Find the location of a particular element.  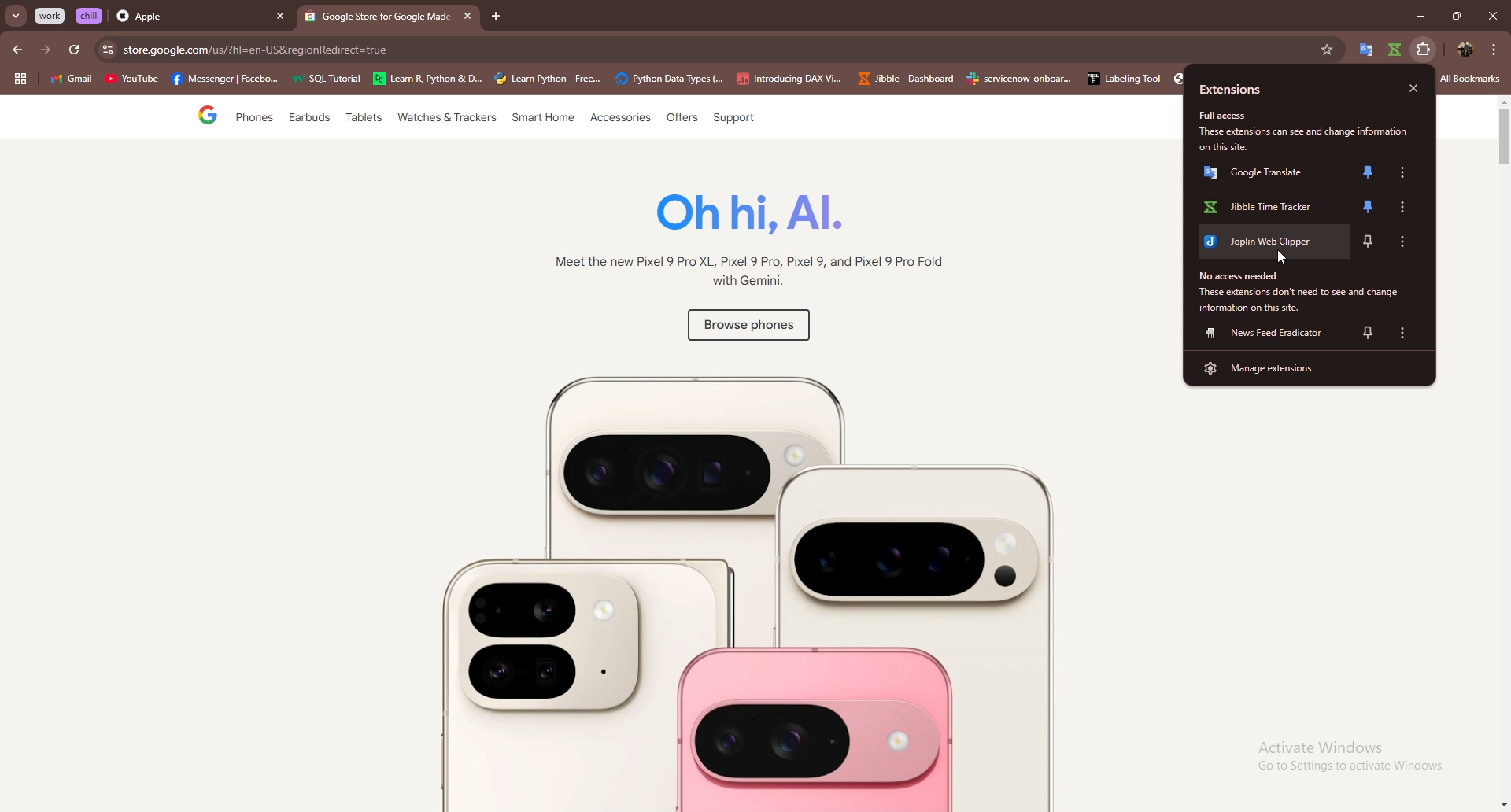

Messenger|Faceb is located at coordinates (227, 79).